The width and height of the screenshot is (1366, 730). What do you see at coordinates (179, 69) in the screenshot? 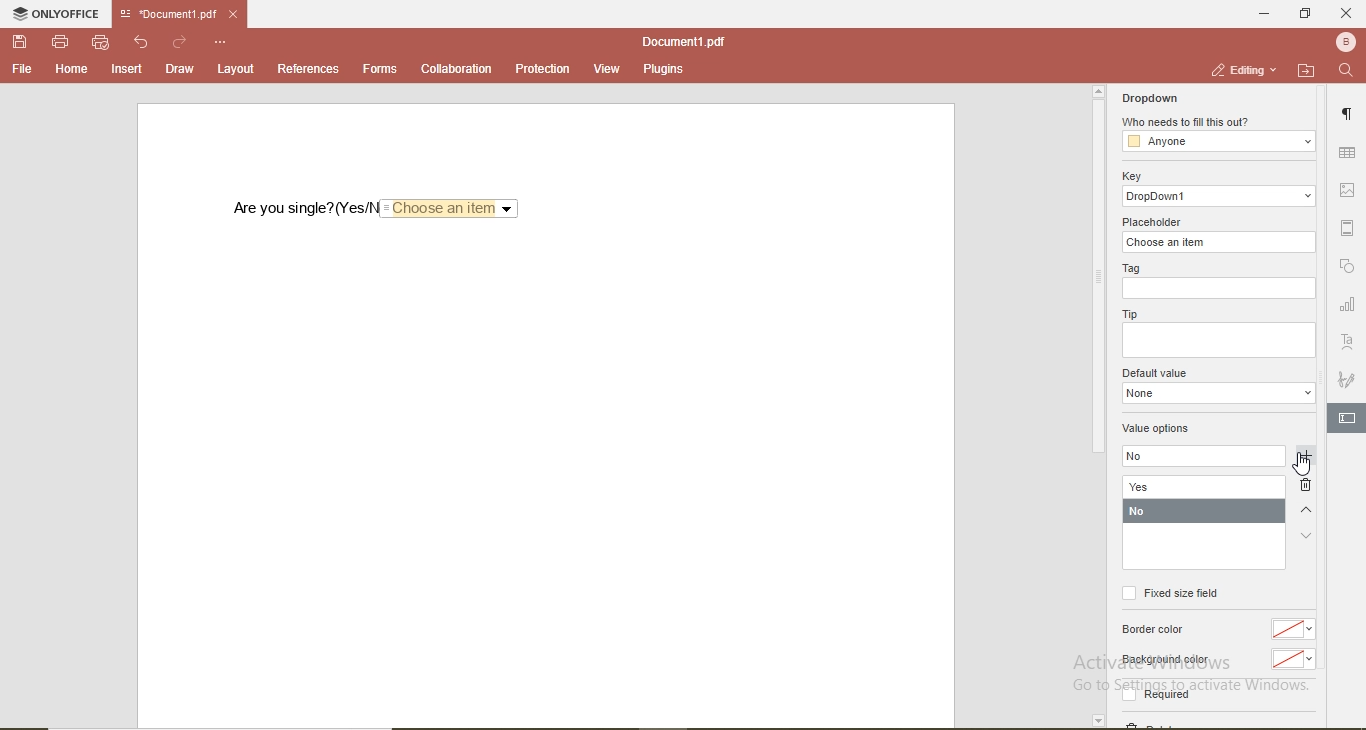
I see `draw` at bounding box center [179, 69].